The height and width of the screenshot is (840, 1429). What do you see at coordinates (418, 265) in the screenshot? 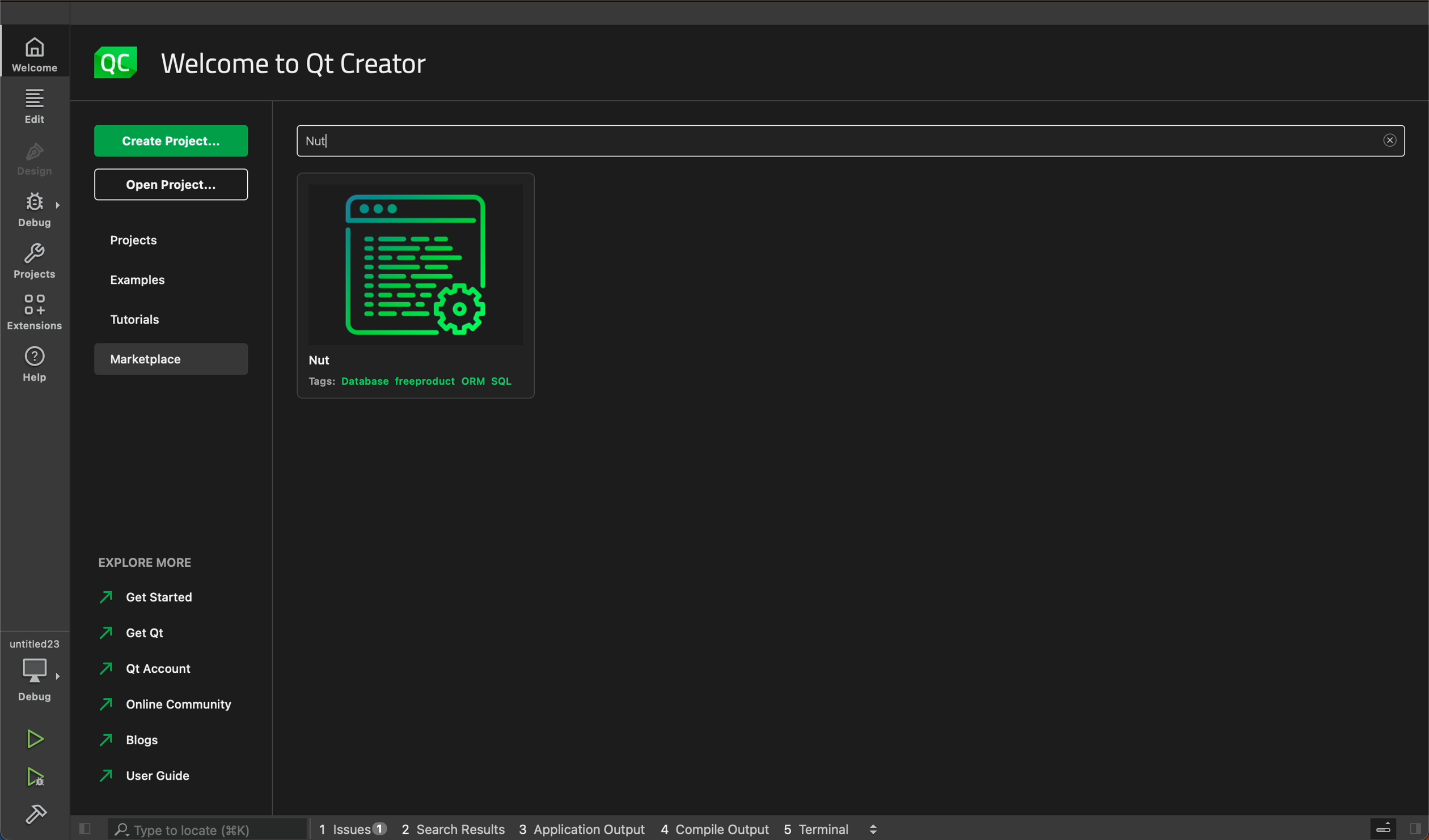
I see `logo` at bounding box center [418, 265].